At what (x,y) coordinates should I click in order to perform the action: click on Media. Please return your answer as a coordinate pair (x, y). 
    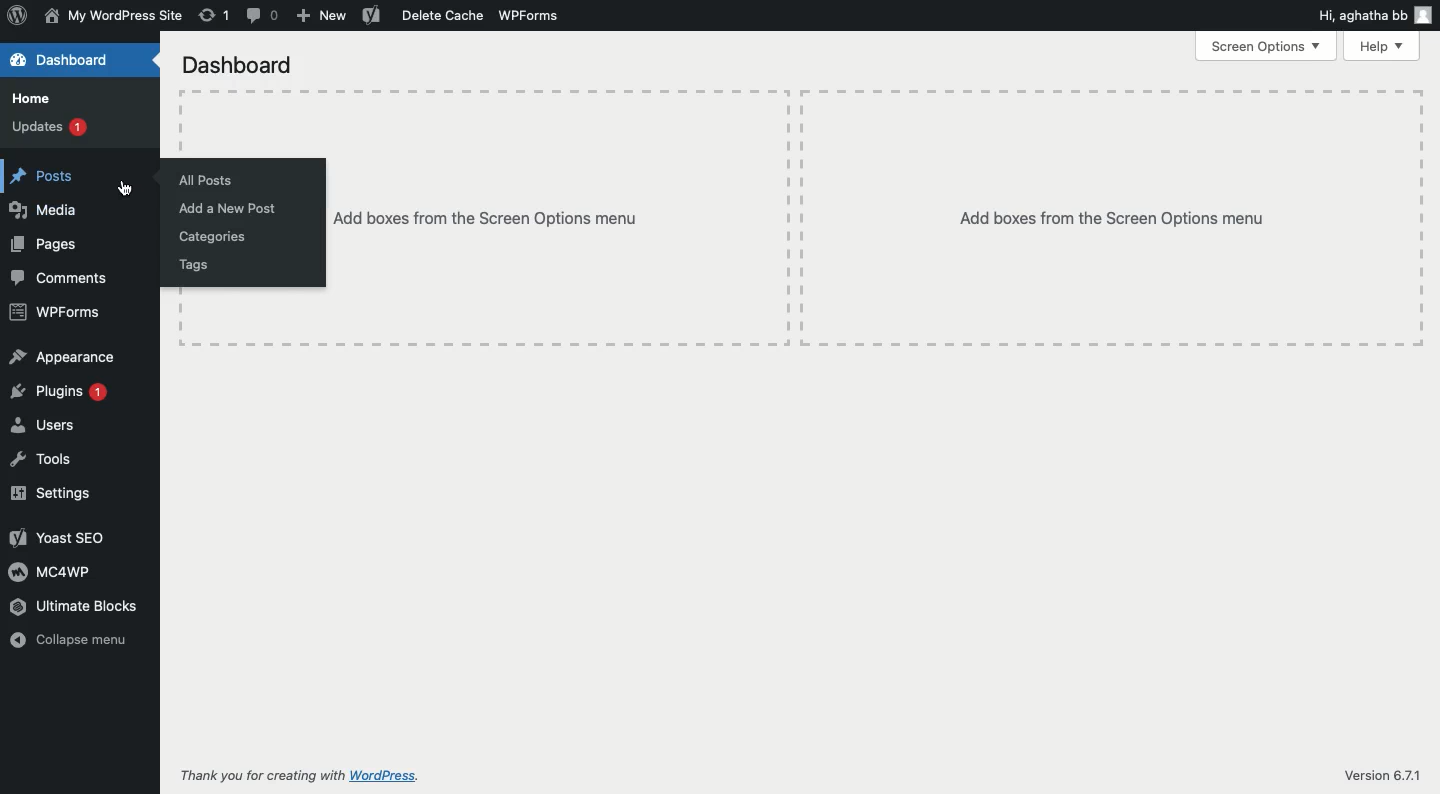
    Looking at the image, I should click on (51, 211).